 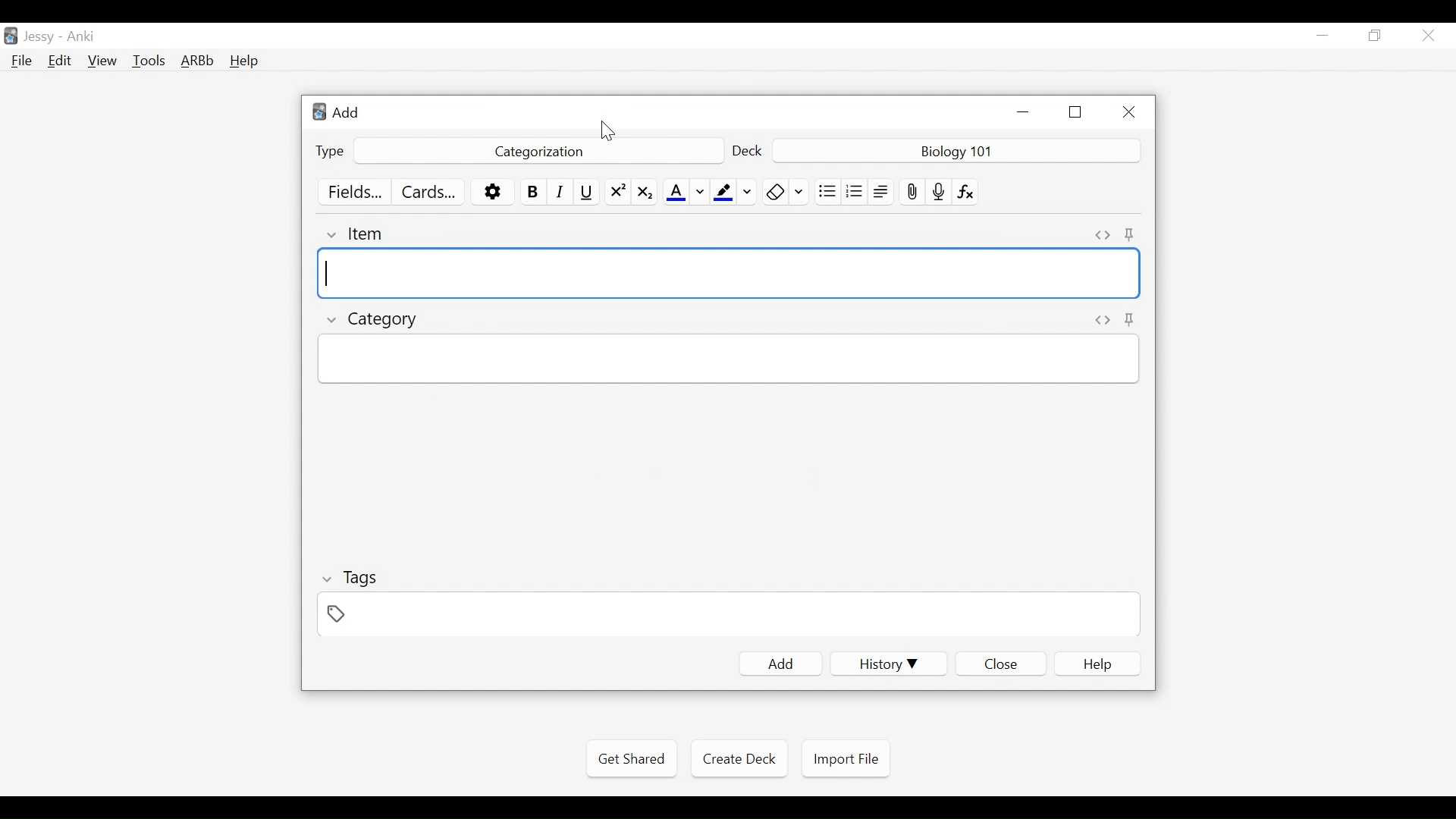 I want to click on Anki logo, so click(x=320, y=112).